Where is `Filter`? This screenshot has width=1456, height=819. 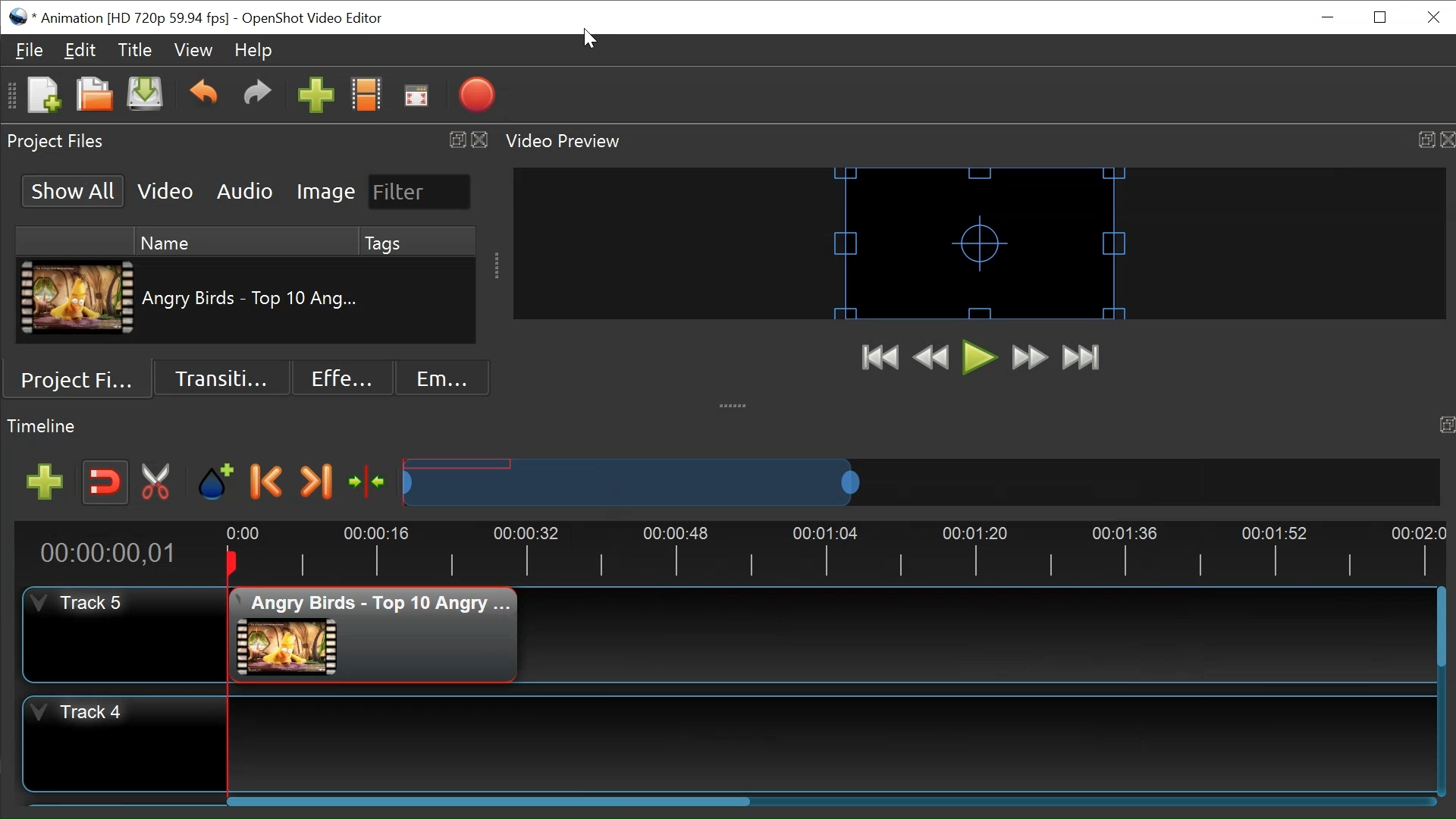
Filter is located at coordinates (417, 191).